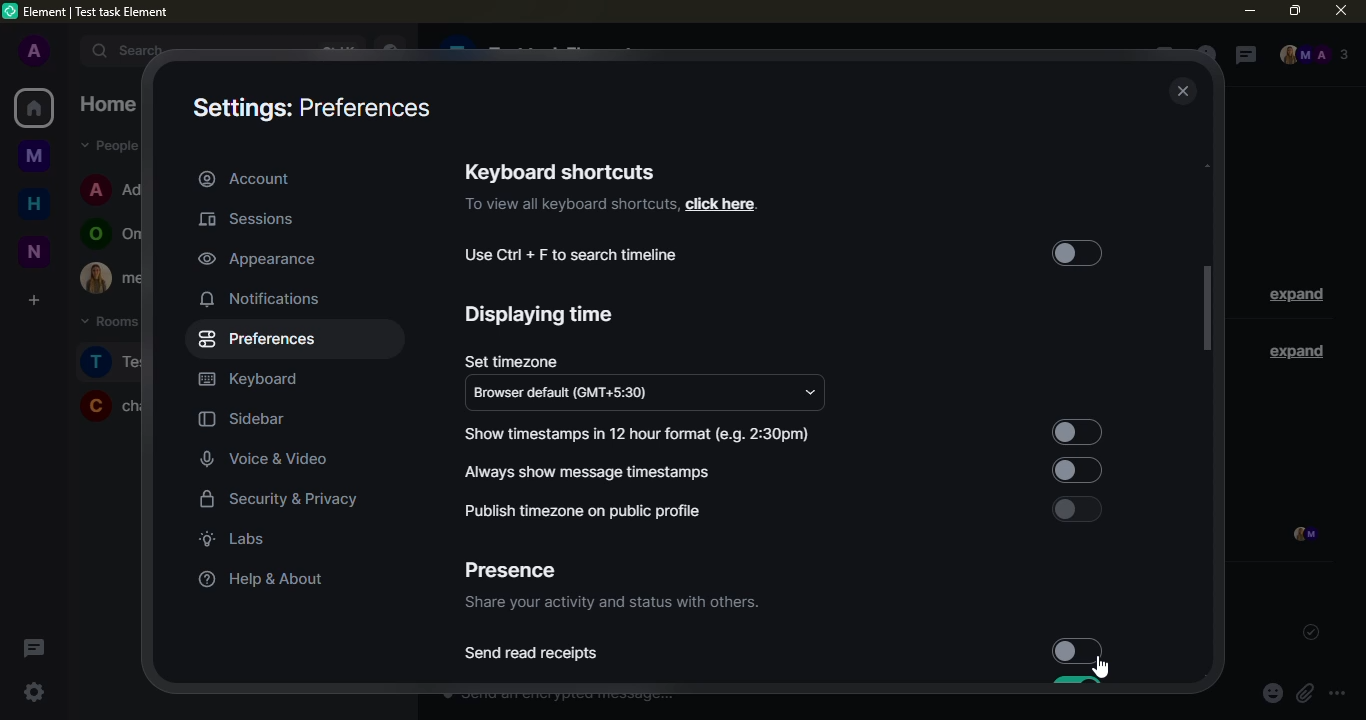 Image resolution: width=1366 pixels, height=720 pixels. I want to click on expand, so click(1292, 350).